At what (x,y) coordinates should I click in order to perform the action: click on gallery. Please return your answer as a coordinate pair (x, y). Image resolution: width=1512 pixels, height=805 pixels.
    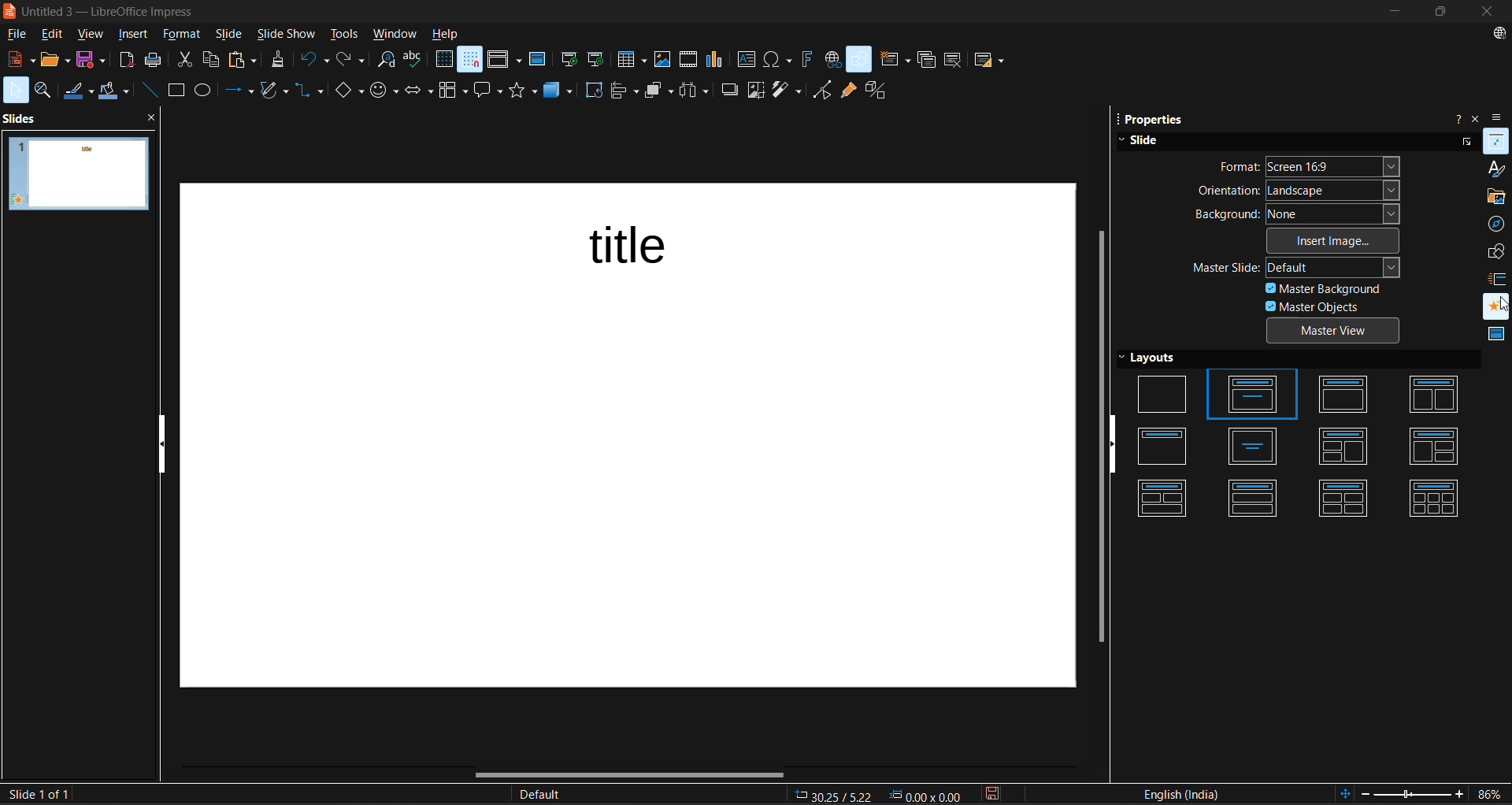
    Looking at the image, I should click on (1497, 197).